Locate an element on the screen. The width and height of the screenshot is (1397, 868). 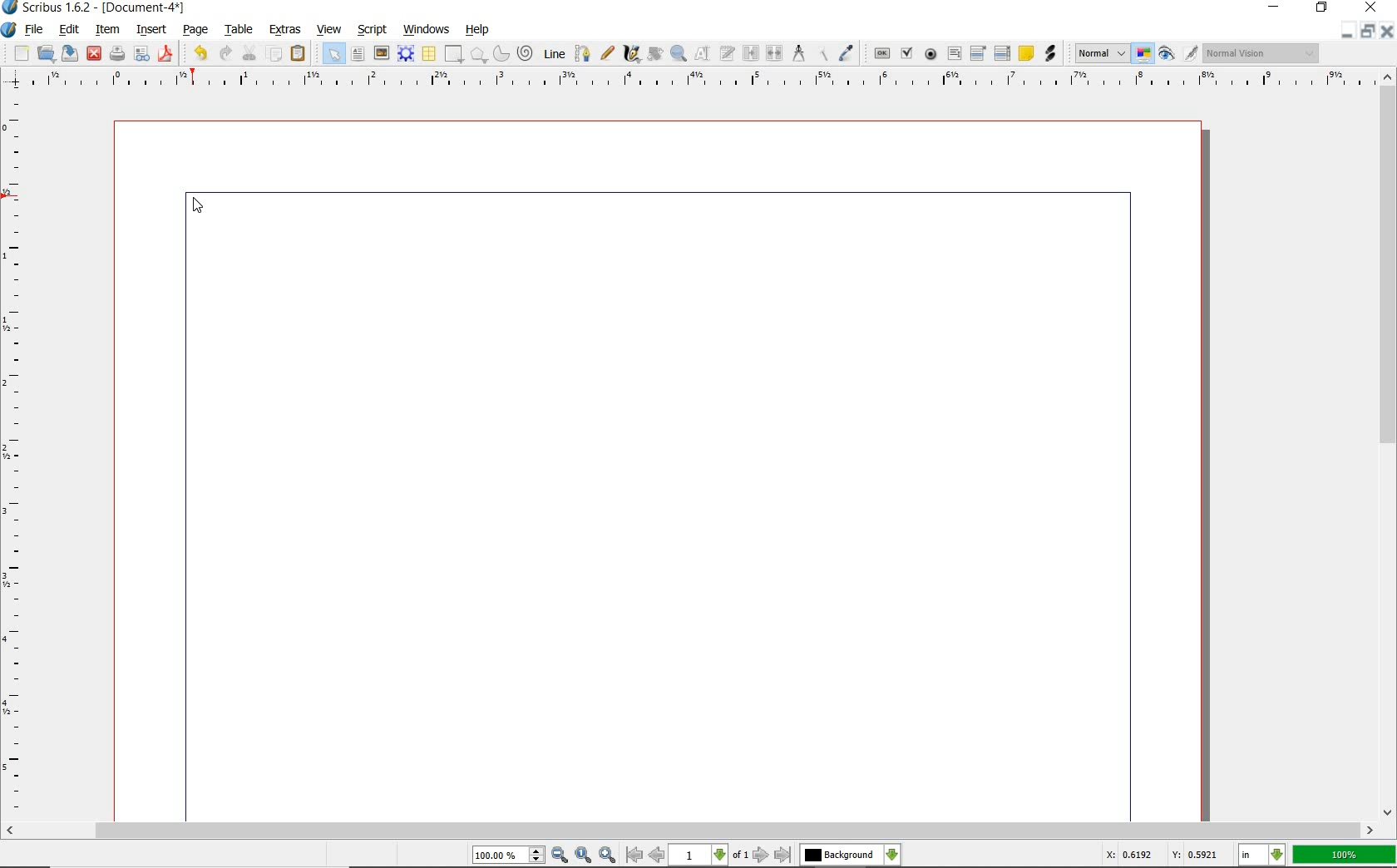
copy is located at coordinates (275, 54).